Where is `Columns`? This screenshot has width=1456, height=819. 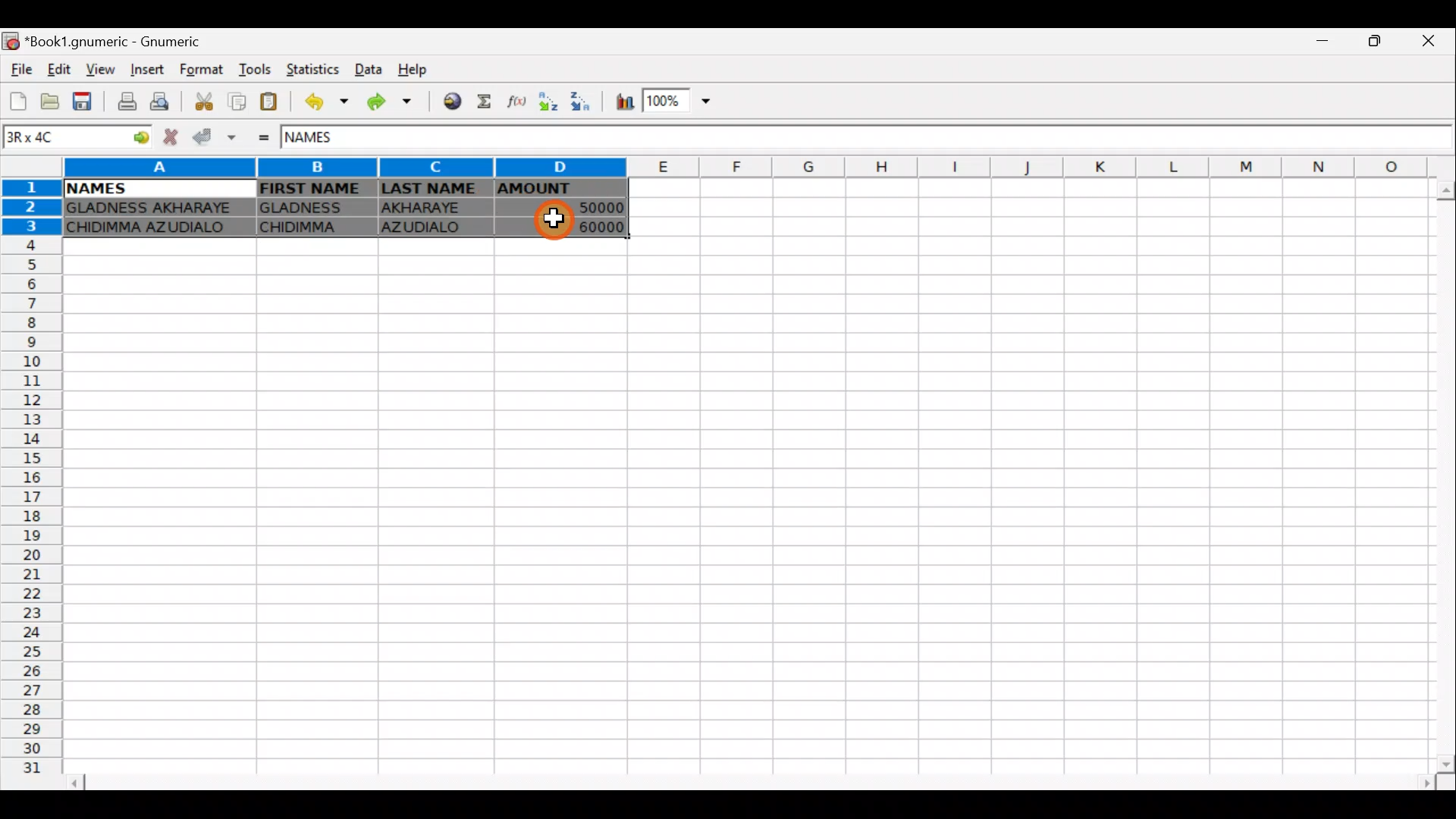
Columns is located at coordinates (758, 167).